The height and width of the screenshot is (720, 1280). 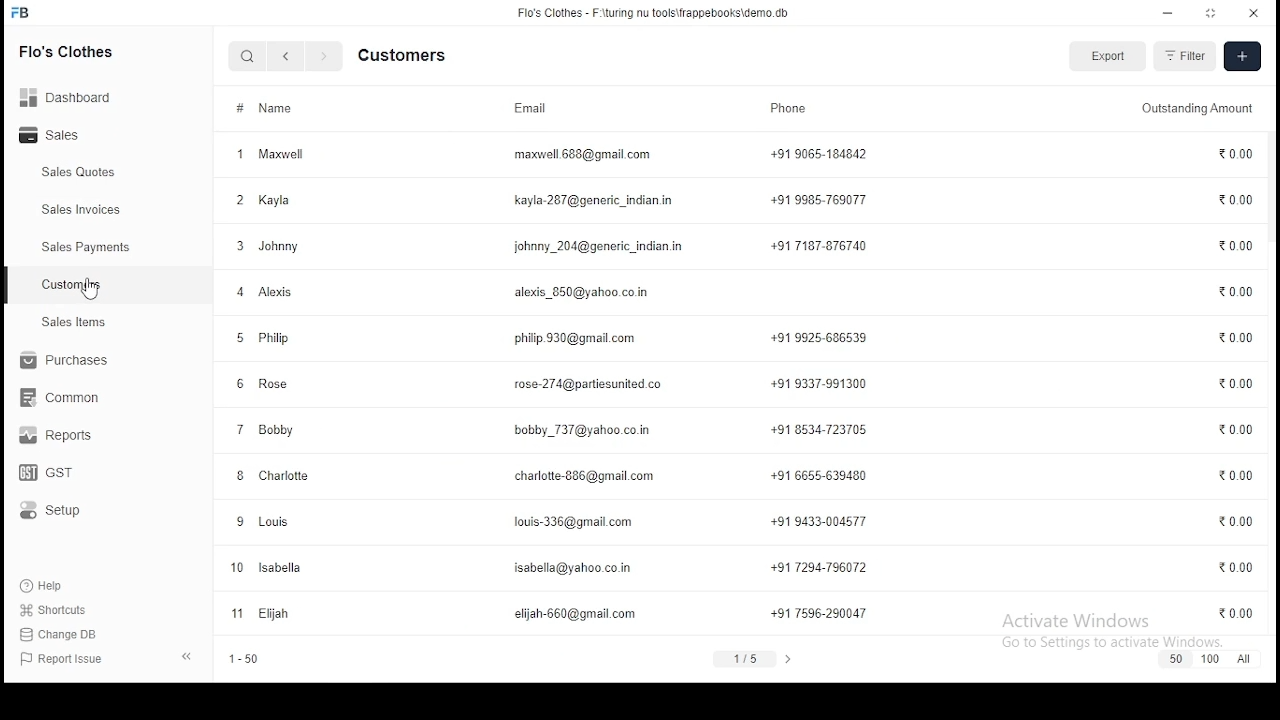 I want to click on Alexis, so click(x=276, y=293).